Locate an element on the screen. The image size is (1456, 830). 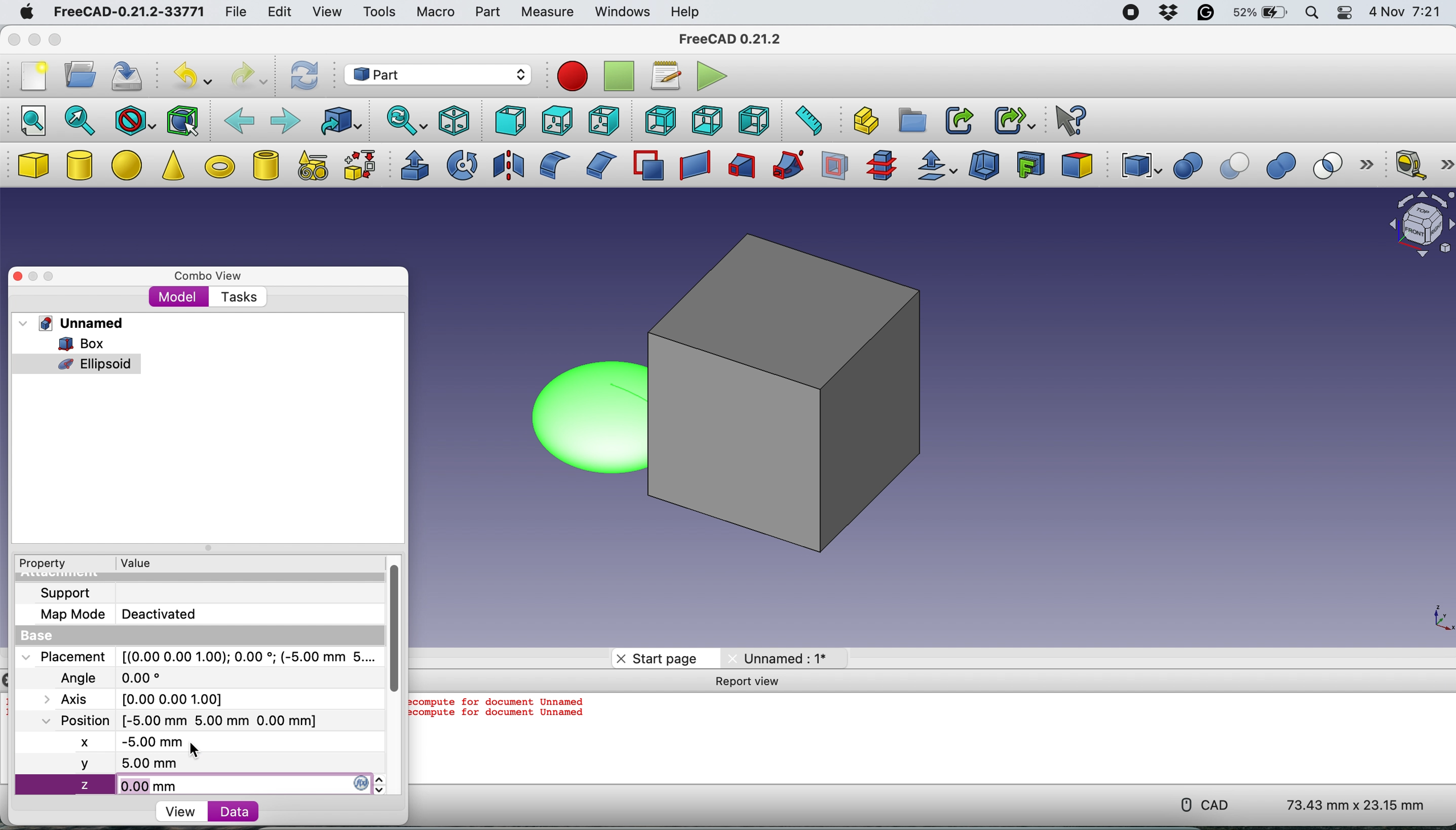
data is located at coordinates (227, 811).